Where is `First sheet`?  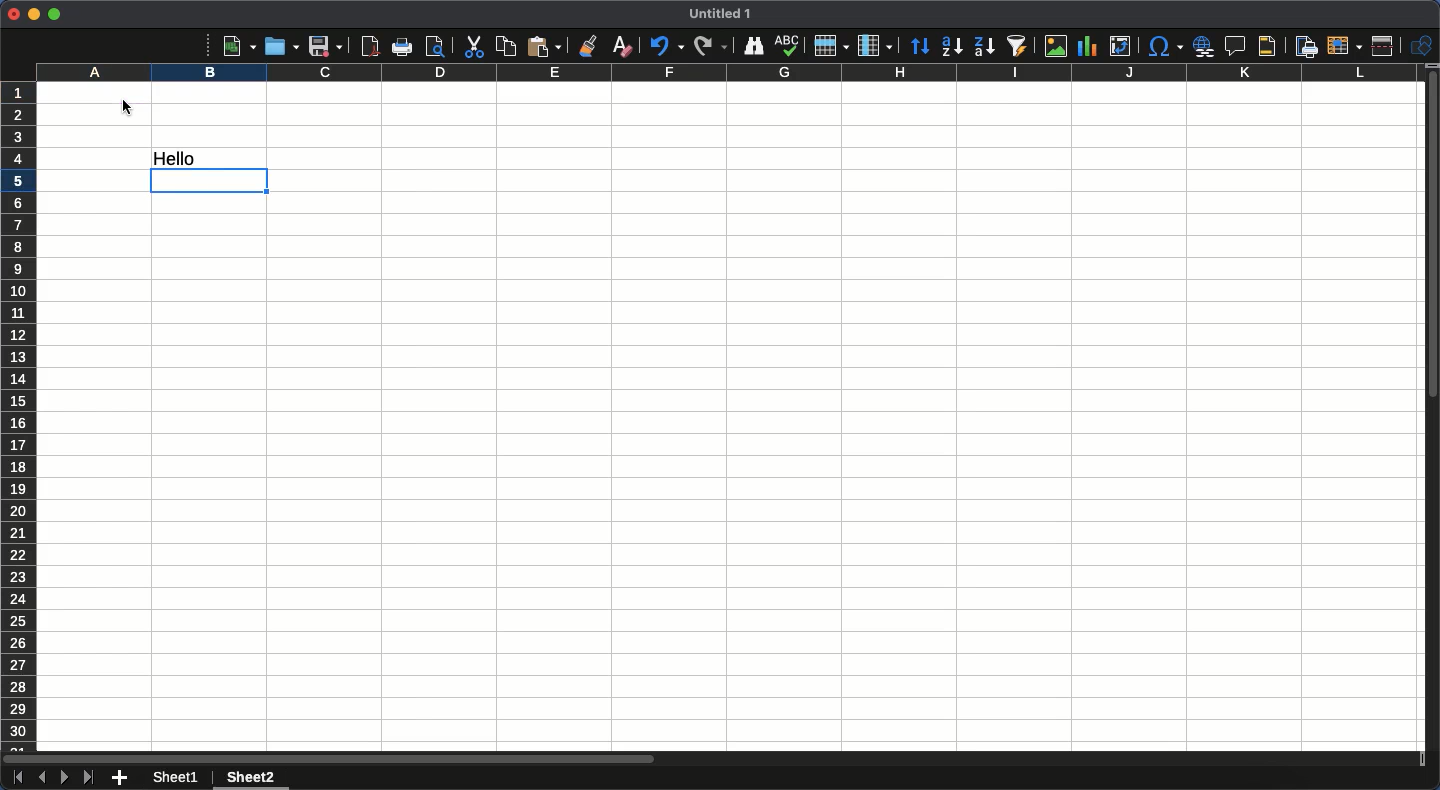 First sheet is located at coordinates (16, 778).